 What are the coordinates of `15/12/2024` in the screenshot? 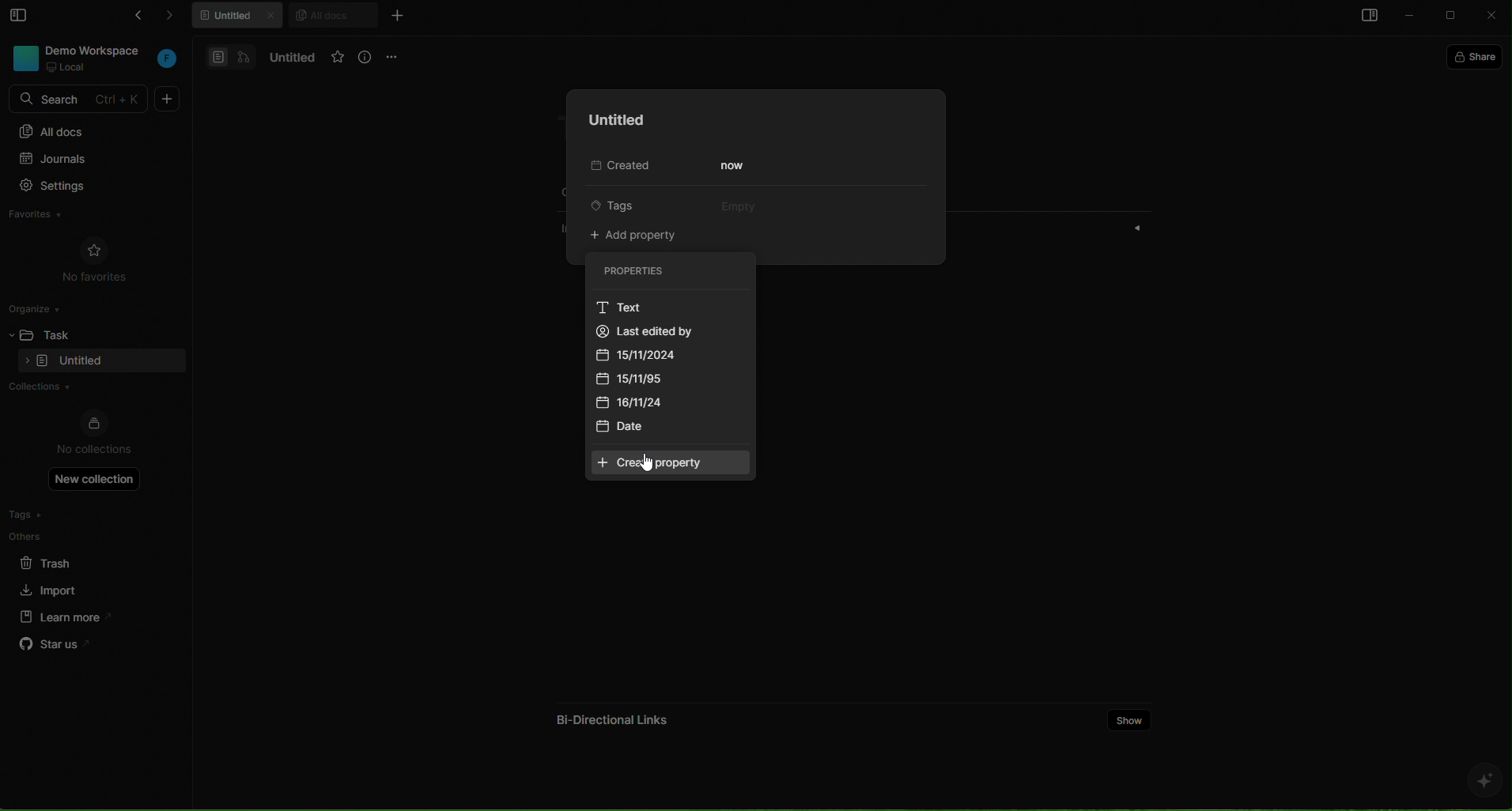 It's located at (652, 355).